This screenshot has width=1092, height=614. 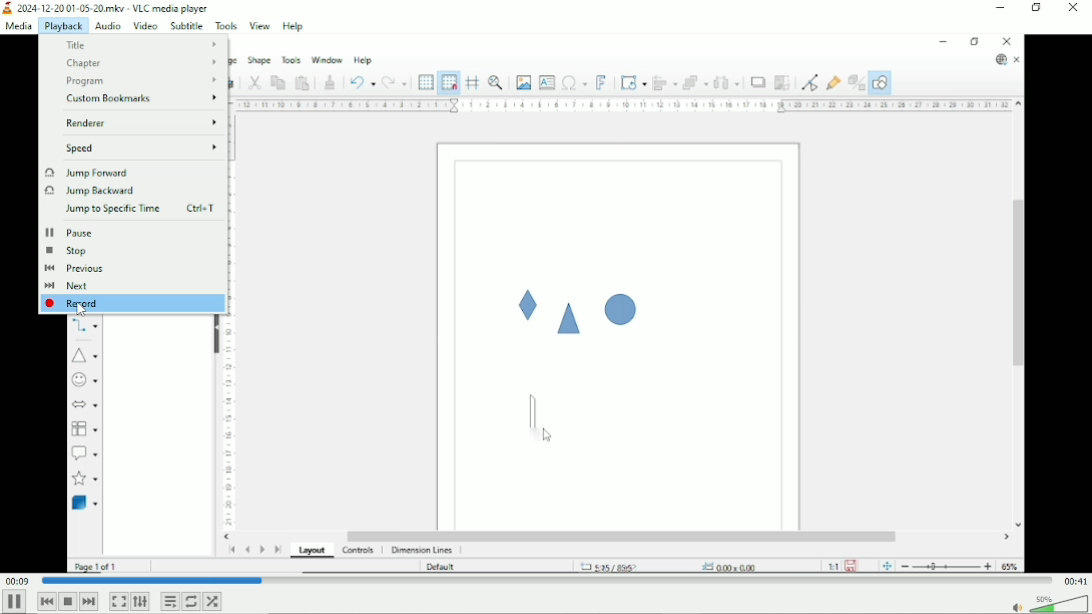 I want to click on Tools, so click(x=227, y=26).